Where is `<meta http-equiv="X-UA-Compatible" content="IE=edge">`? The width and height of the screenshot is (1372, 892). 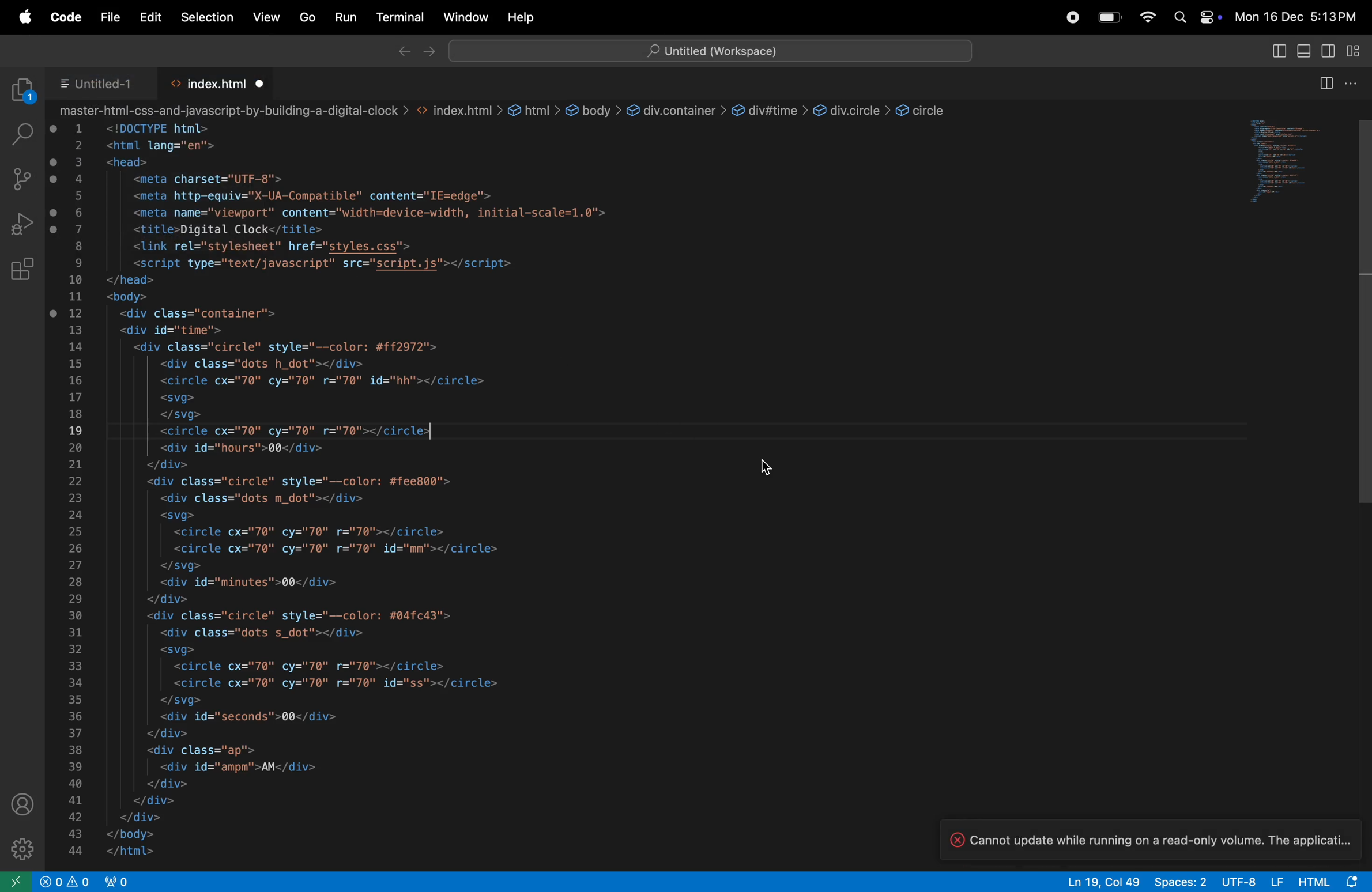
<meta http-equiv="X-UA-Compatible" content="IE=edge"> is located at coordinates (316, 195).